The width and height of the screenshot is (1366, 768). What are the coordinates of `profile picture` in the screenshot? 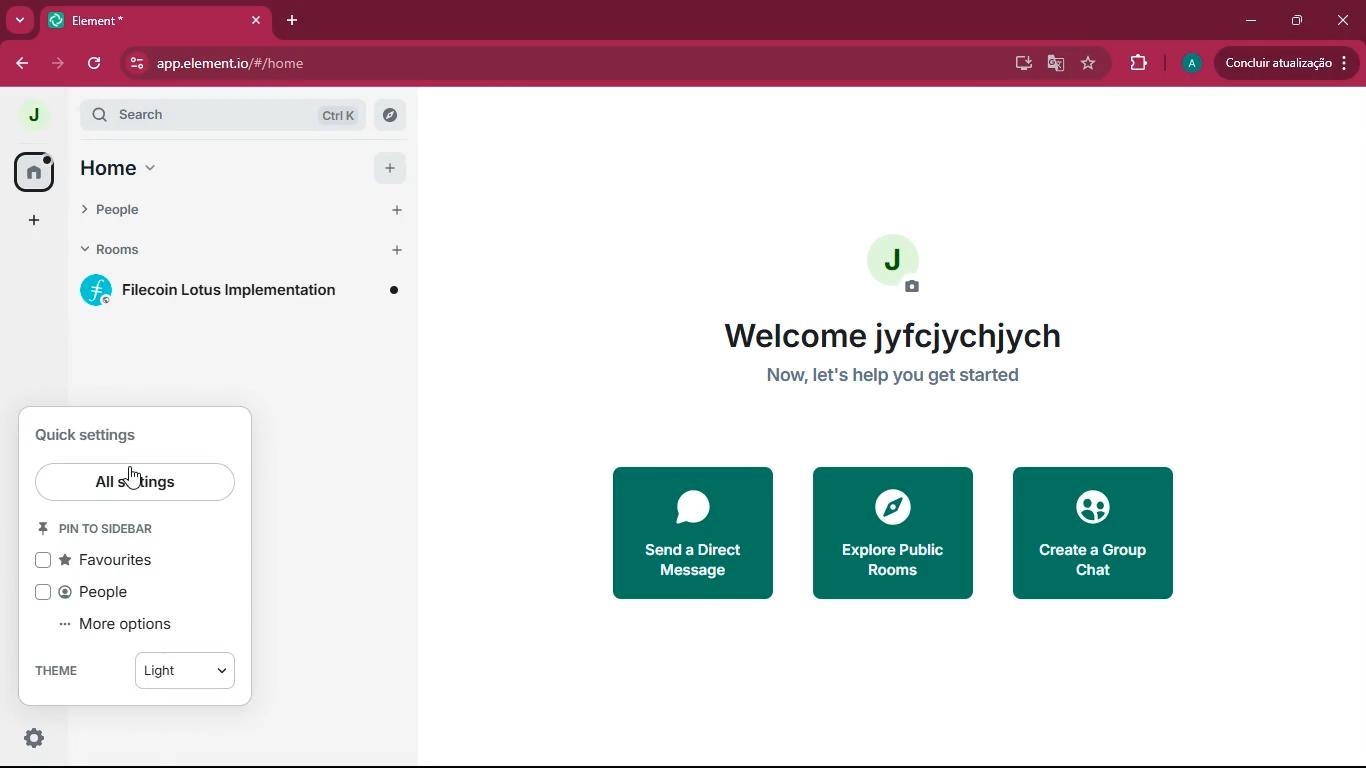 It's located at (28, 114).